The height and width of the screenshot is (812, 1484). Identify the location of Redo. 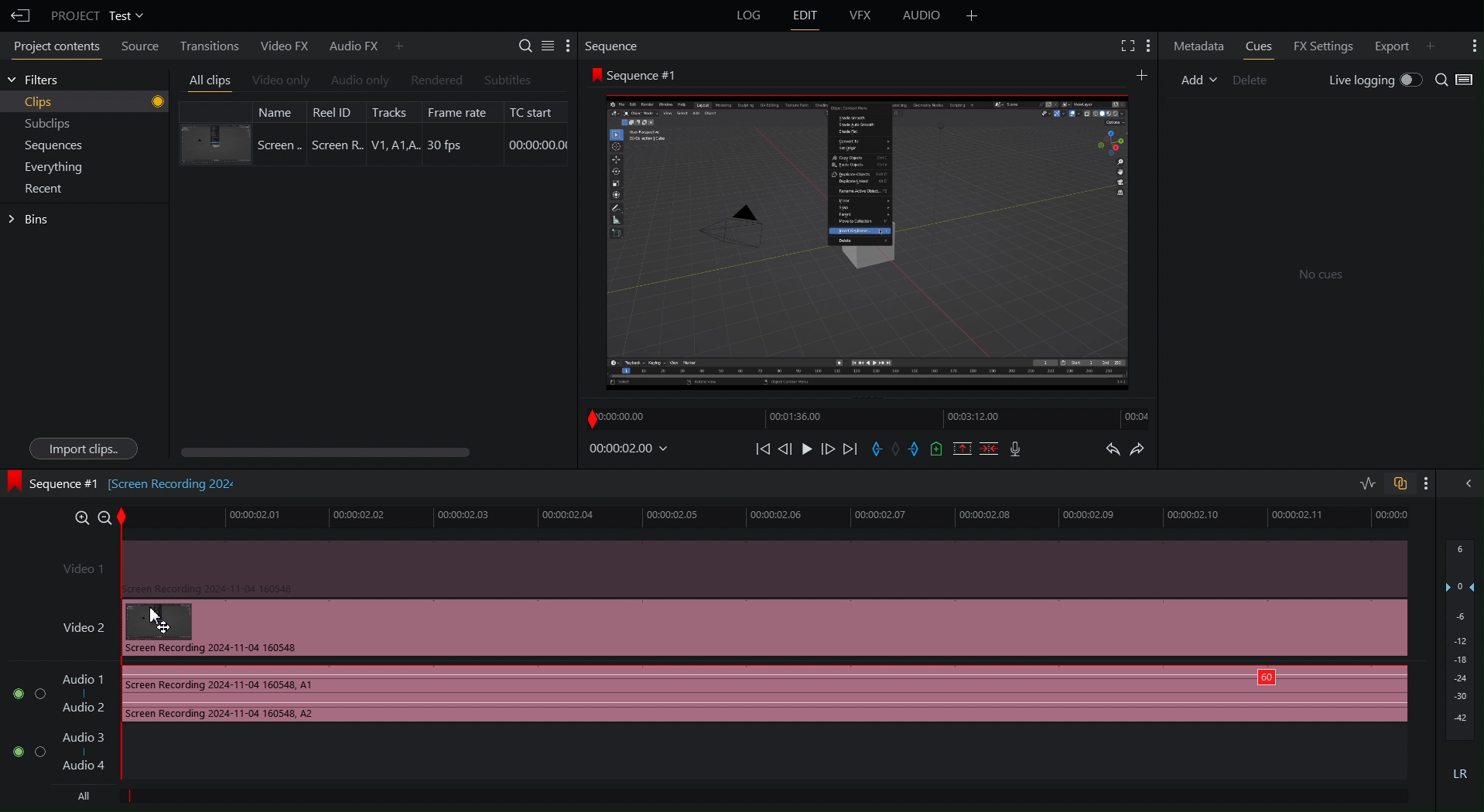
(1146, 451).